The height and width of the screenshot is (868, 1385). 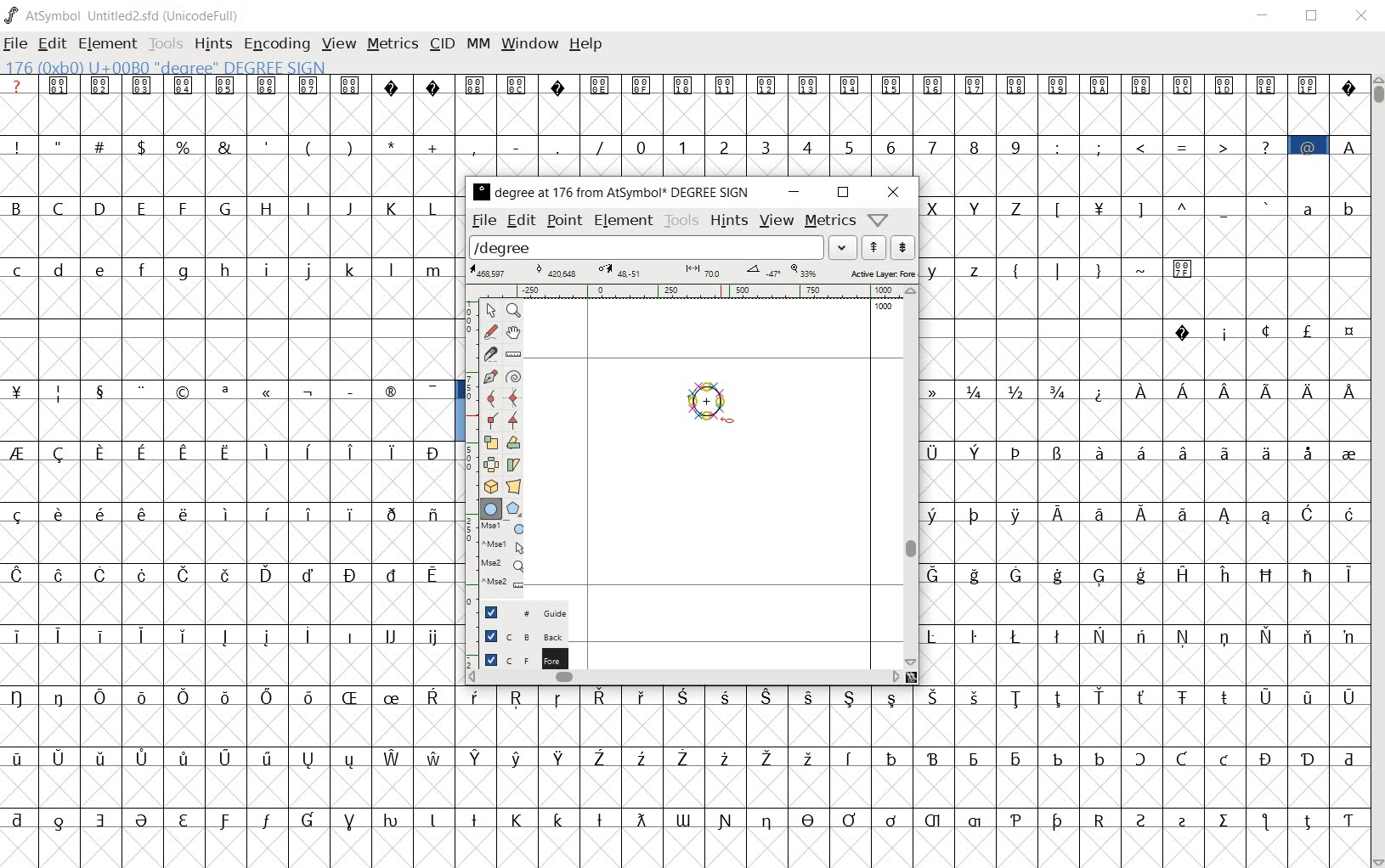 What do you see at coordinates (50, 45) in the screenshot?
I see `edit` at bounding box center [50, 45].